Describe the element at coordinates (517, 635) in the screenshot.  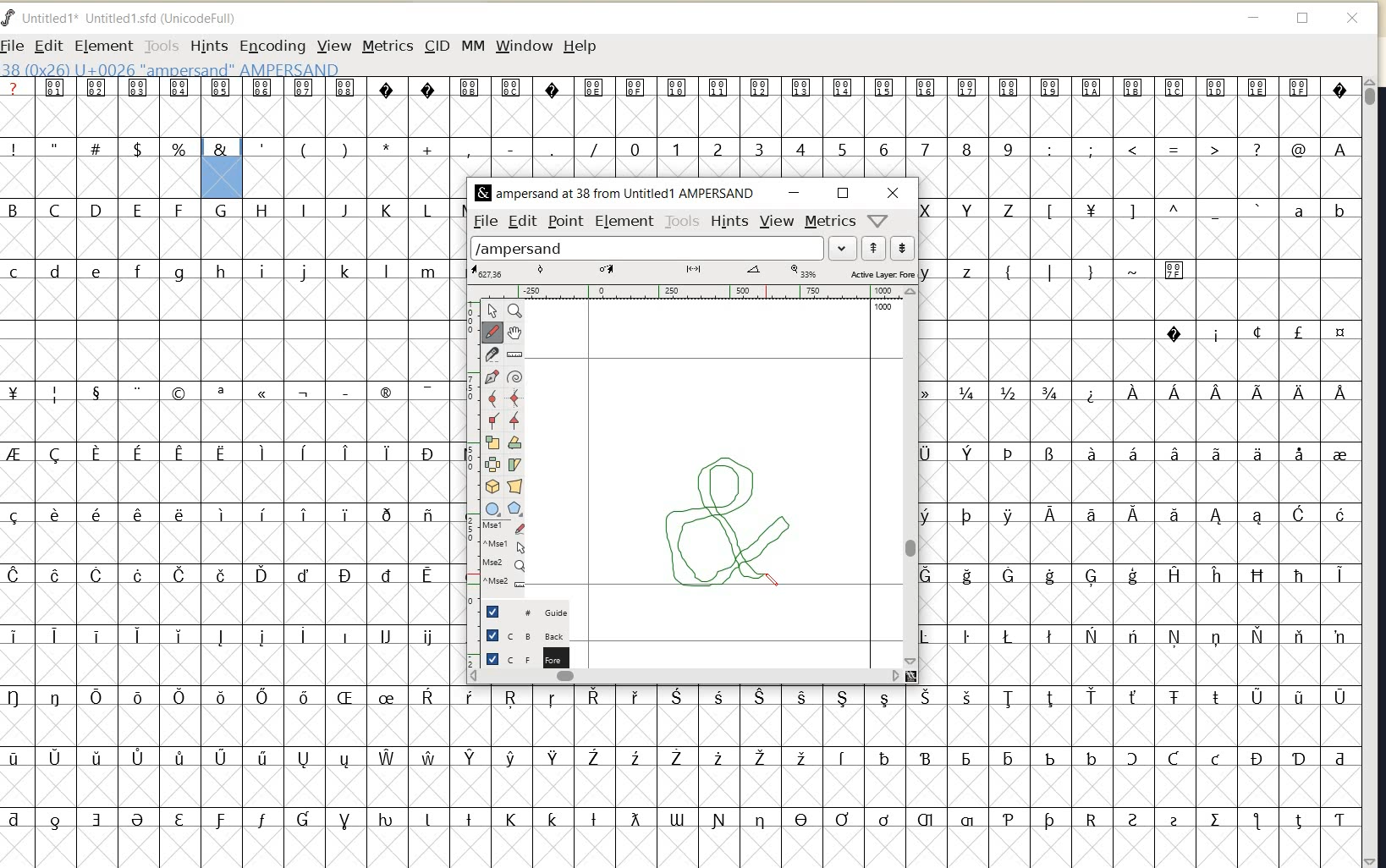
I see `BACKGROUND` at that location.